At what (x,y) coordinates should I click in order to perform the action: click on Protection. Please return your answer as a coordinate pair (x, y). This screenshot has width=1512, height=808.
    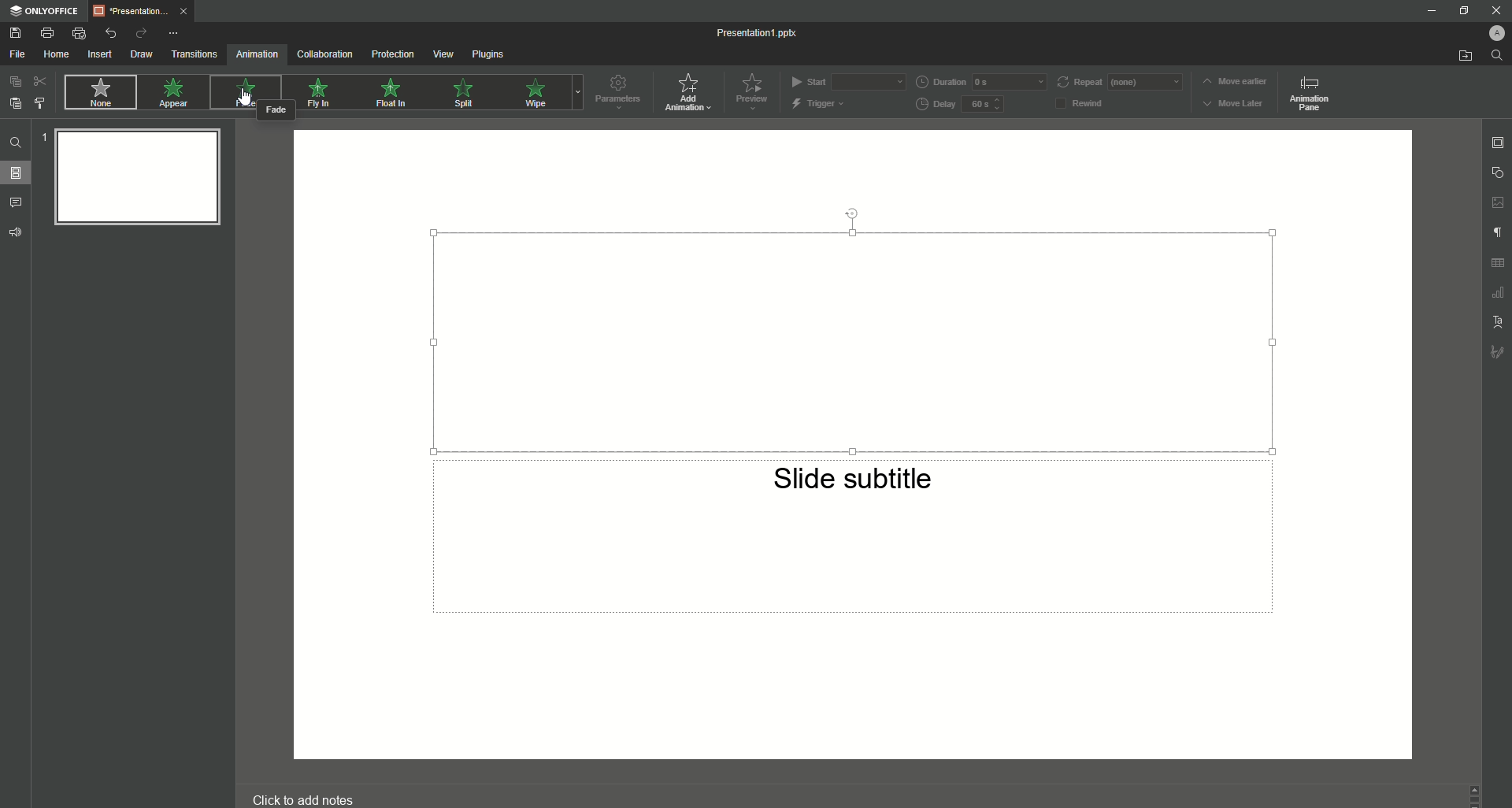
    Looking at the image, I should click on (390, 55).